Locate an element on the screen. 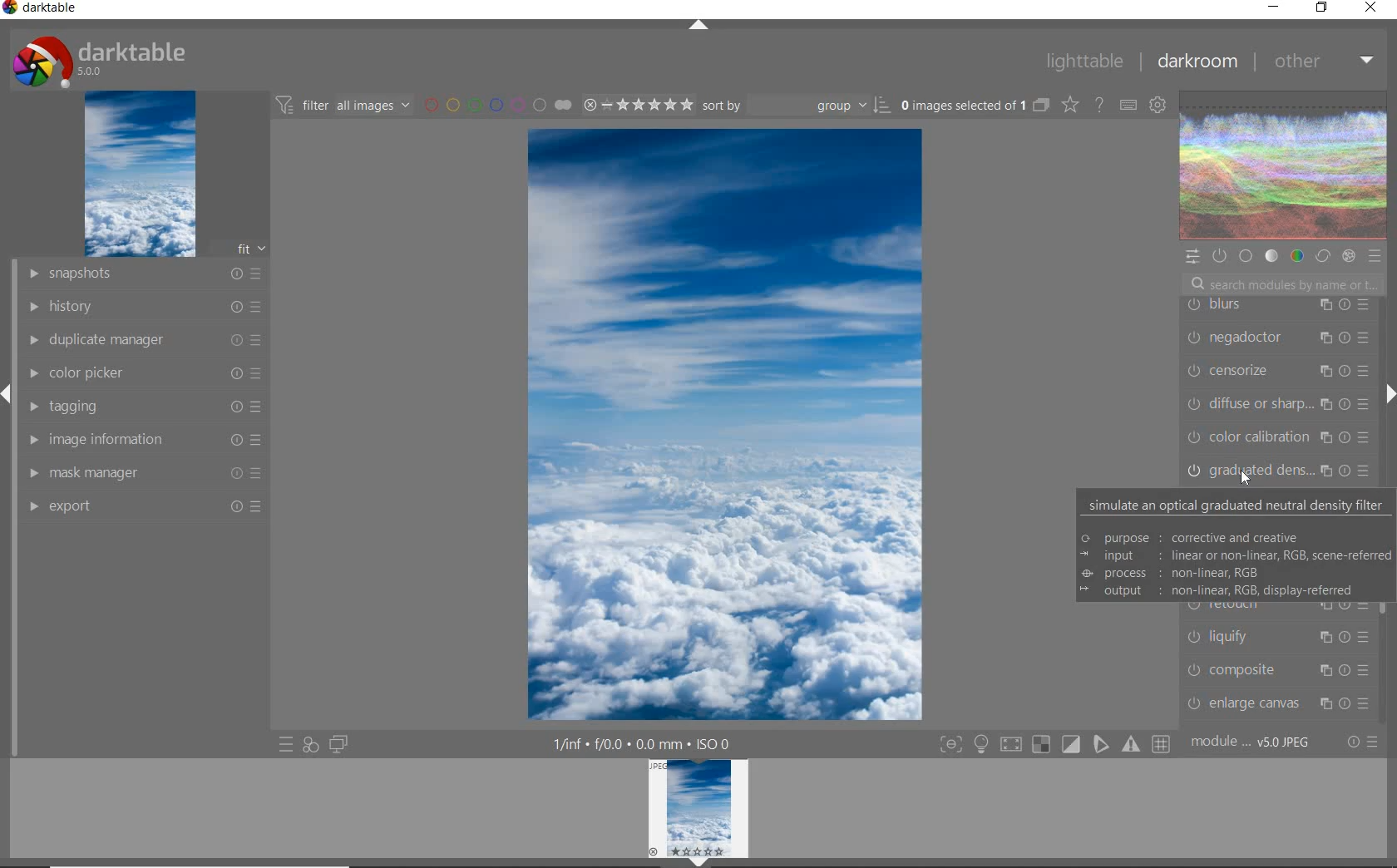 This screenshot has width=1397, height=868. IMAGE INFORMATION is located at coordinates (147, 439).